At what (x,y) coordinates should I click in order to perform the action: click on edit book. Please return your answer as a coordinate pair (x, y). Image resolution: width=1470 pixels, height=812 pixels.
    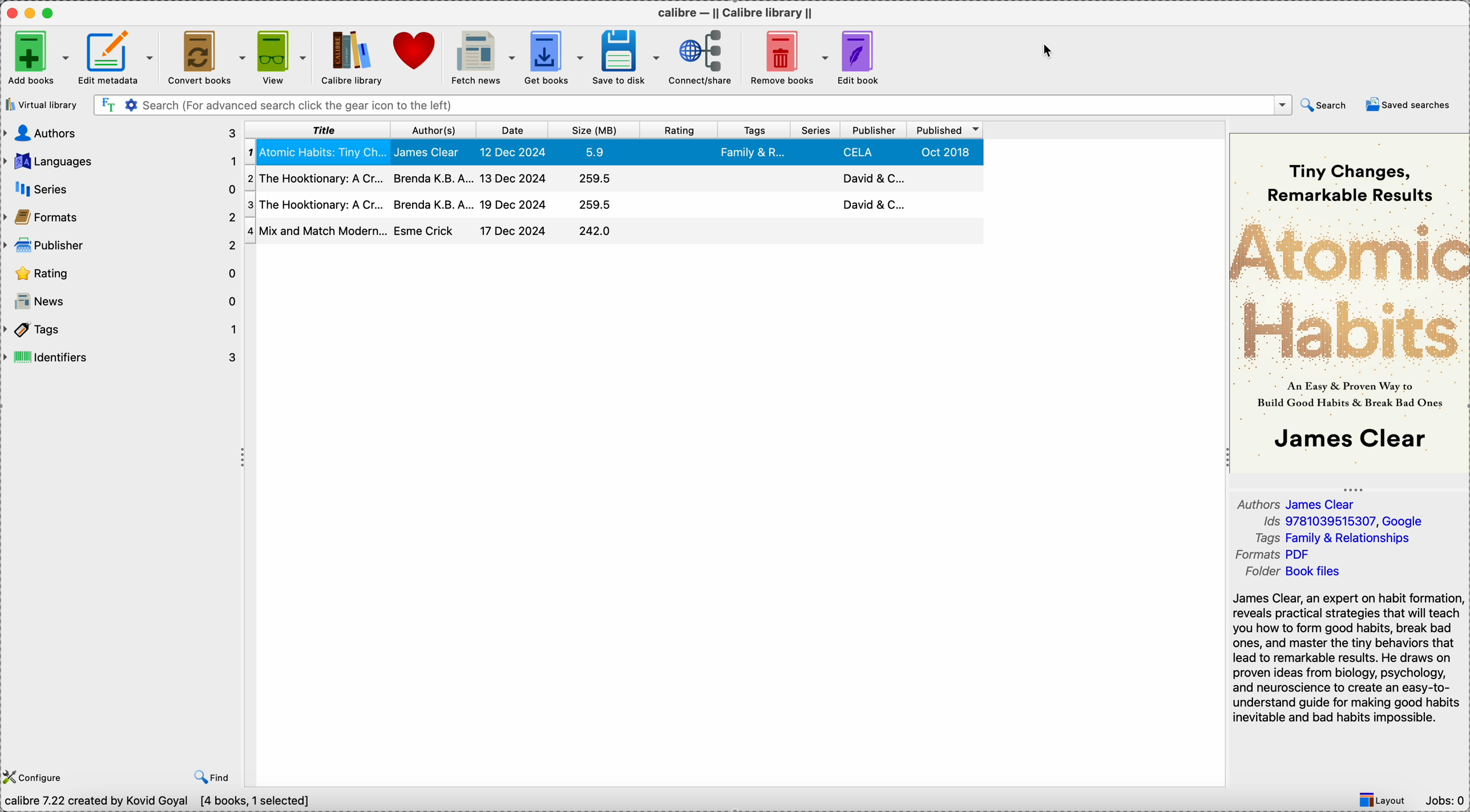
    Looking at the image, I should click on (863, 58).